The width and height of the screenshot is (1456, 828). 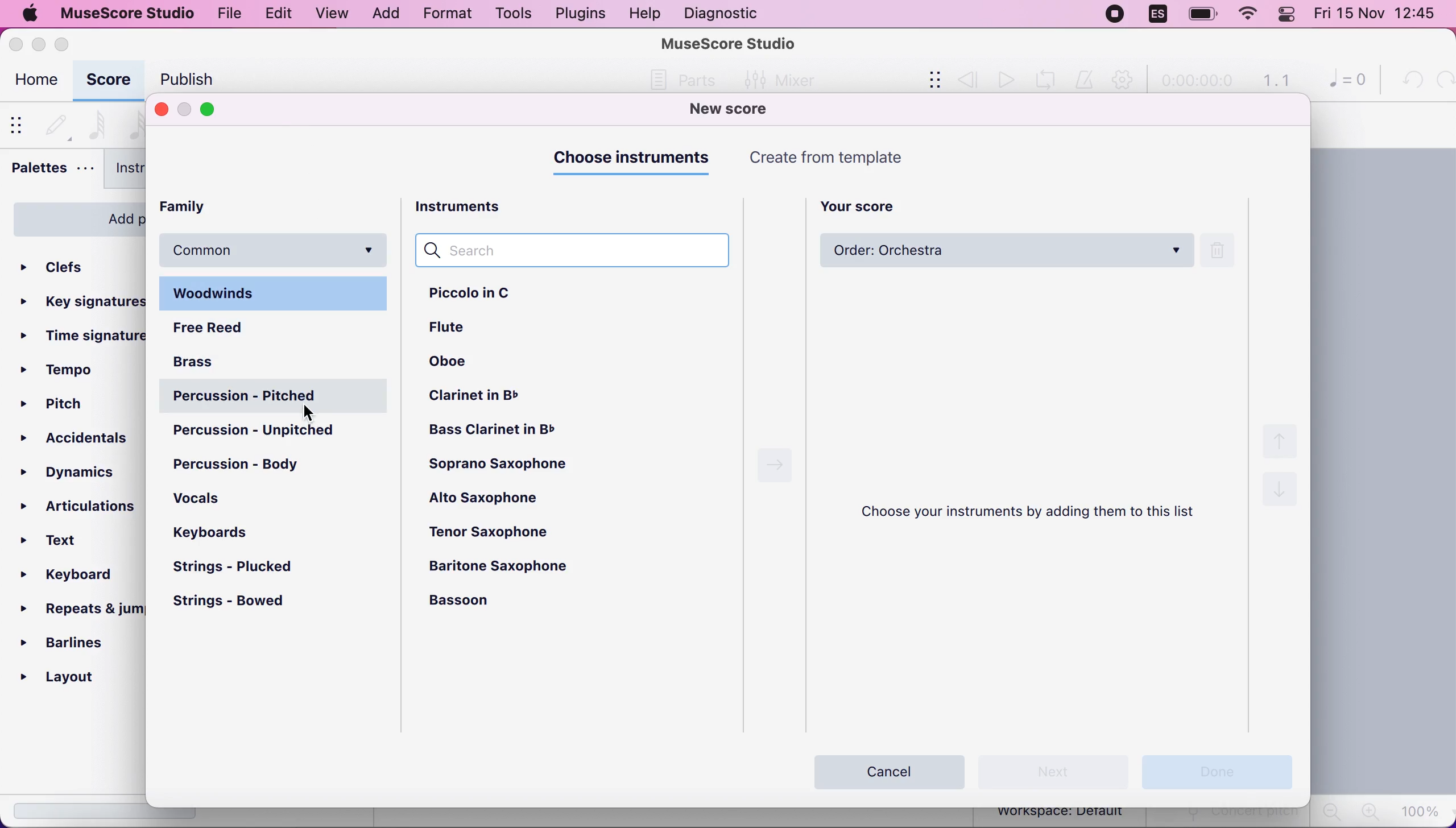 I want to click on show/hide, so click(x=20, y=124).